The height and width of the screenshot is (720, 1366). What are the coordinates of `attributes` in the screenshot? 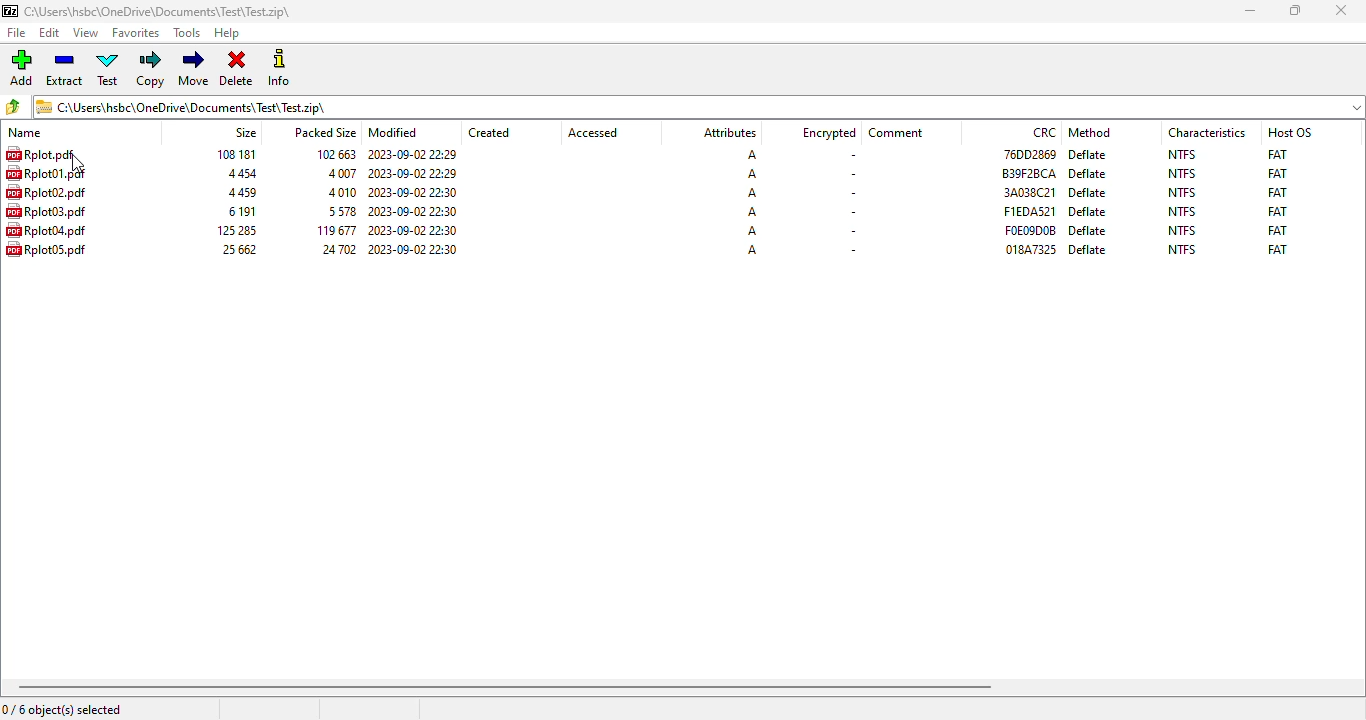 It's located at (728, 133).